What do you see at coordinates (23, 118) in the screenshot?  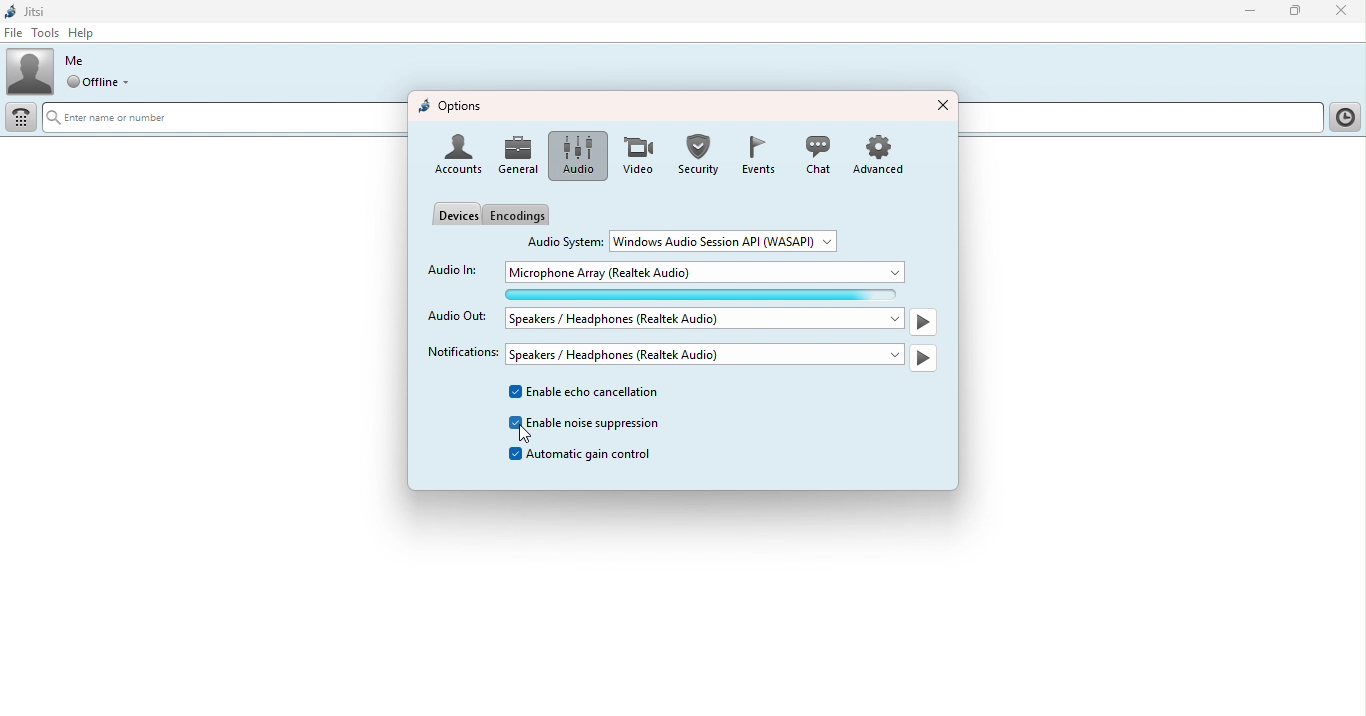 I see `Dial pad` at bounding box center [23, 118].